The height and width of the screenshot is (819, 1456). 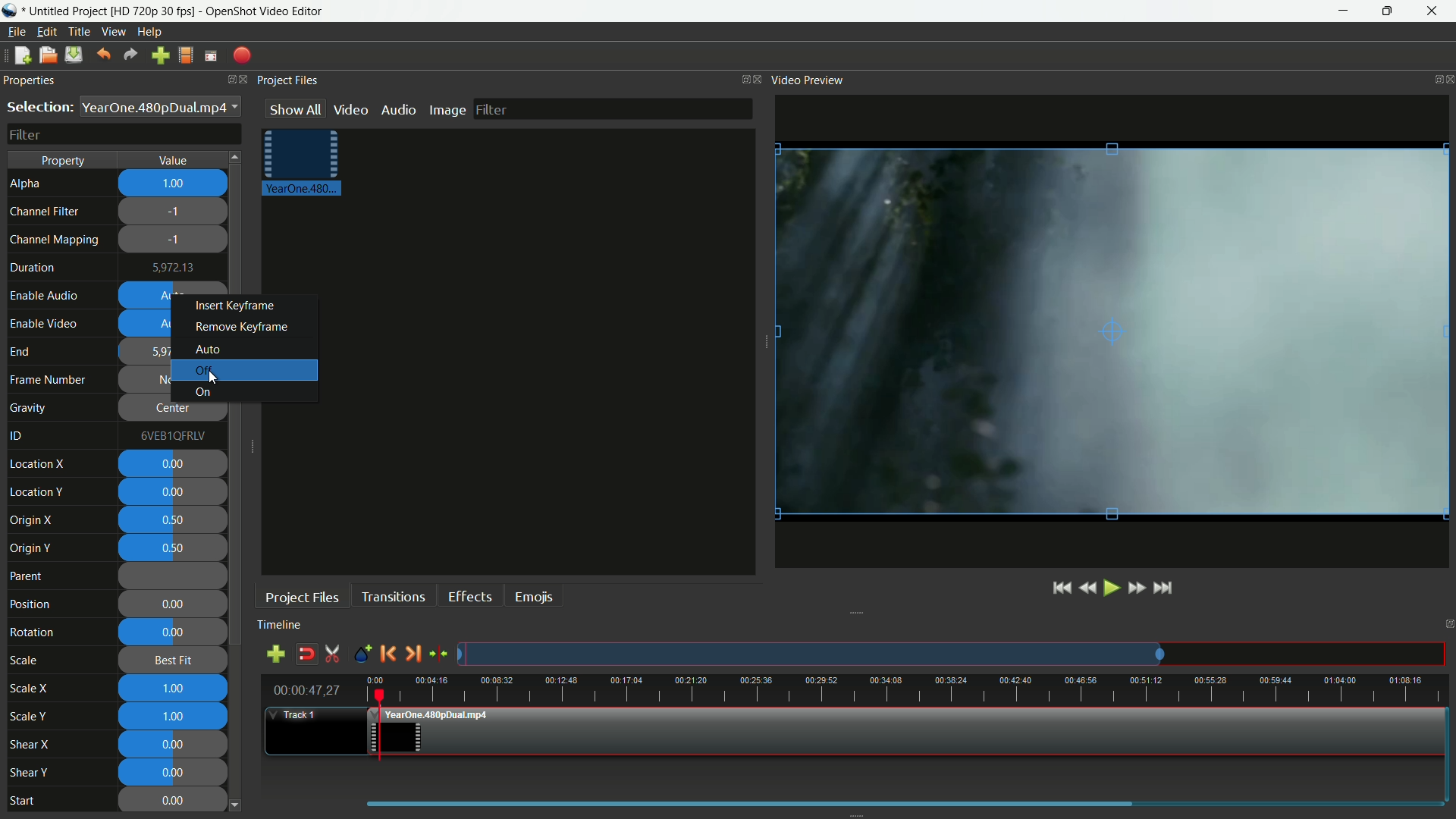 What do you see at coordinates (302, 597) in the screenshot?
I see `project files` at bounding box center [302, 597].